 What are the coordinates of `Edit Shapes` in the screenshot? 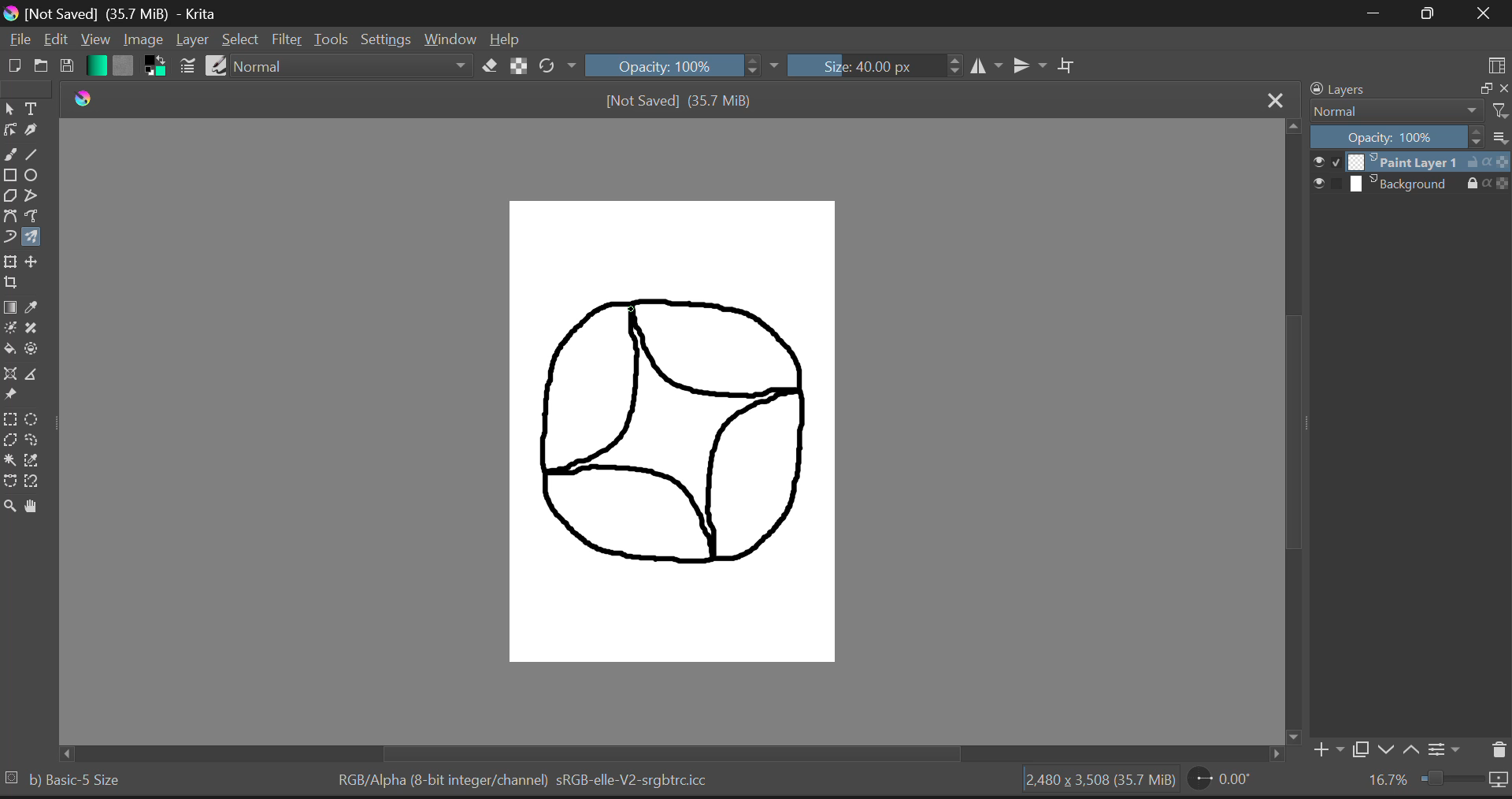 It's located at (10, 130).